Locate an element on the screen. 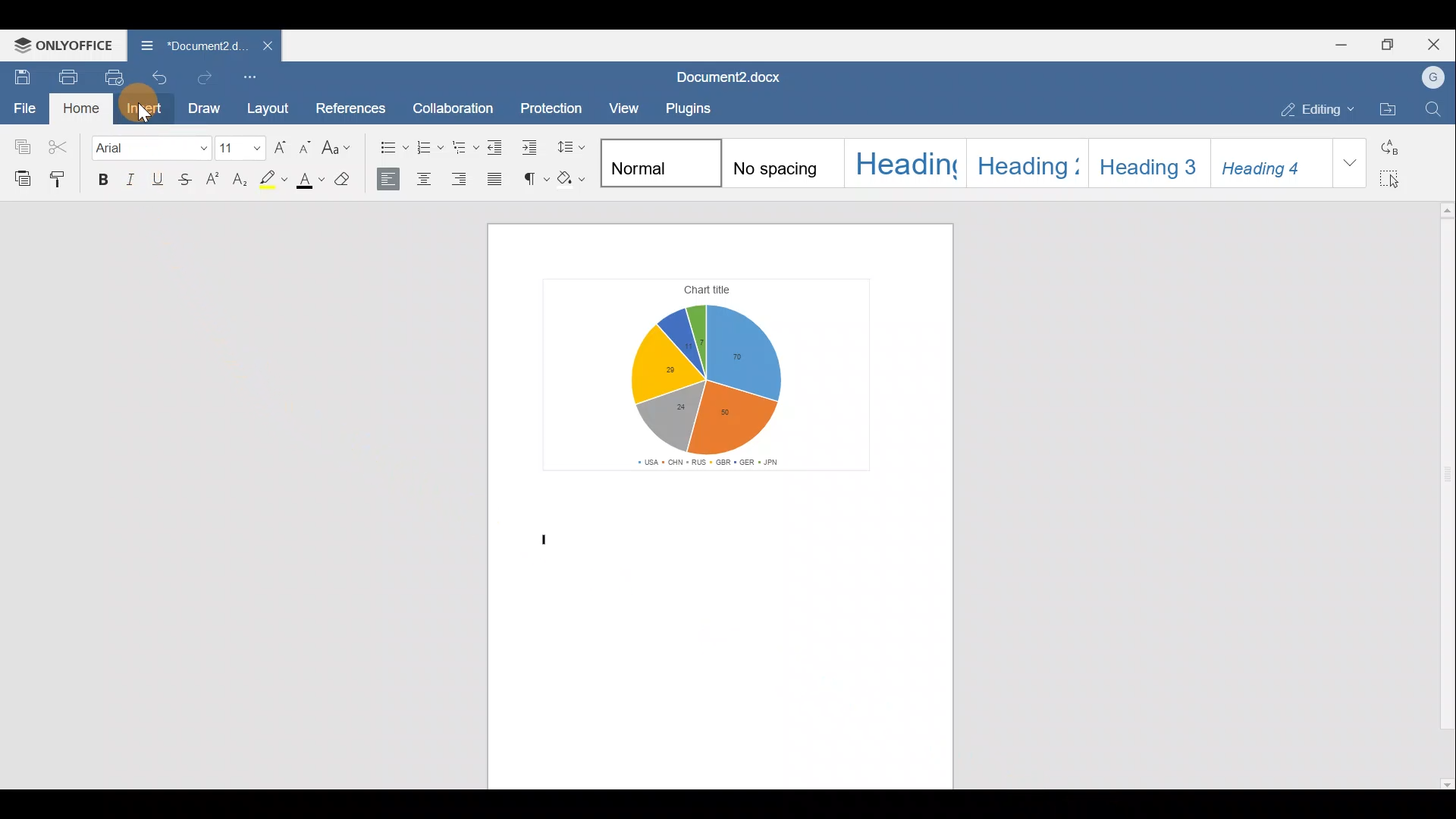 The width and height of the screenshot is (1456, 819). References is located at coordinates (352, 104).